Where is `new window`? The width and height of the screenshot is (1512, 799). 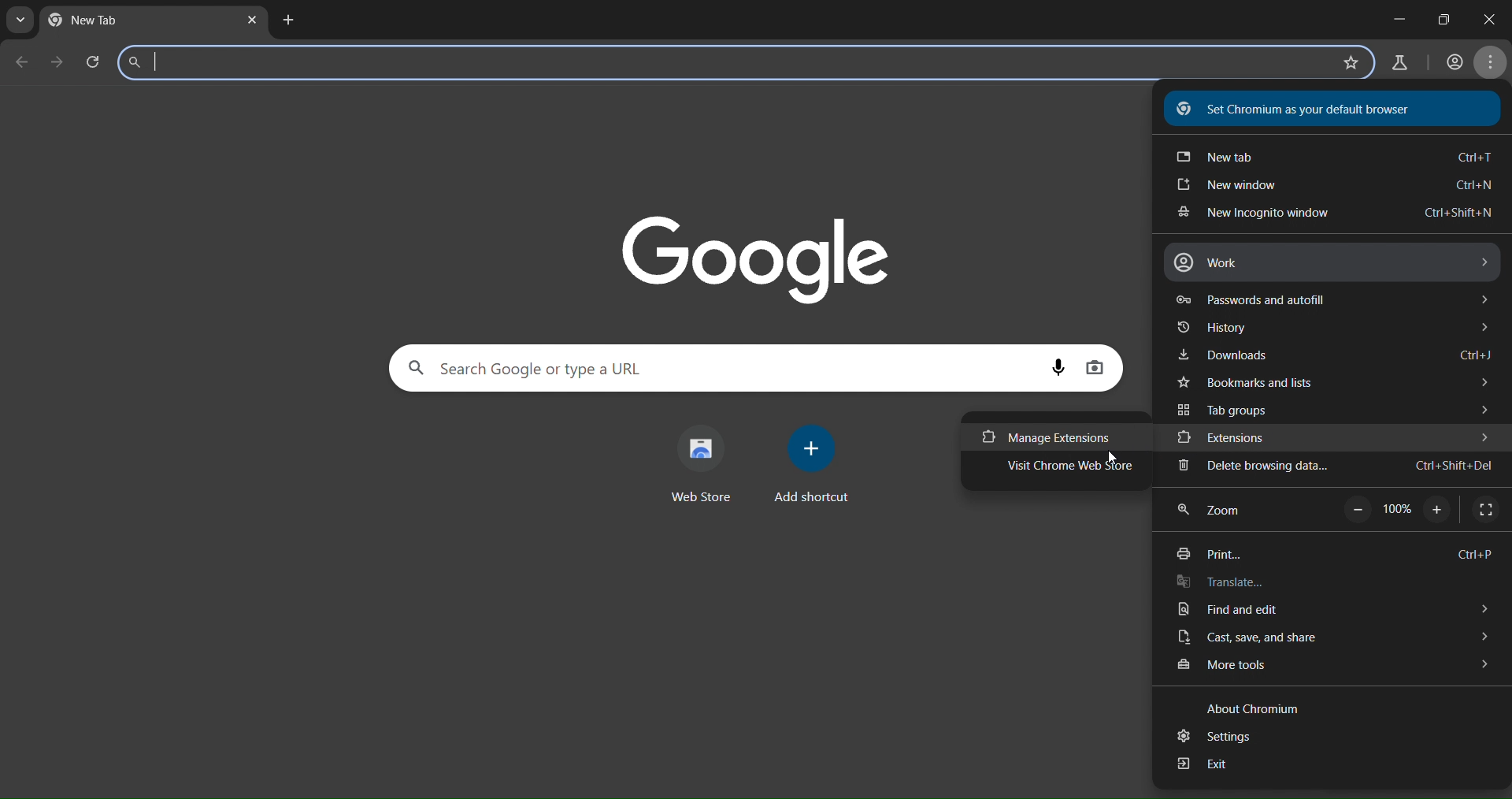
new window is located at coordinates (1336, 185).